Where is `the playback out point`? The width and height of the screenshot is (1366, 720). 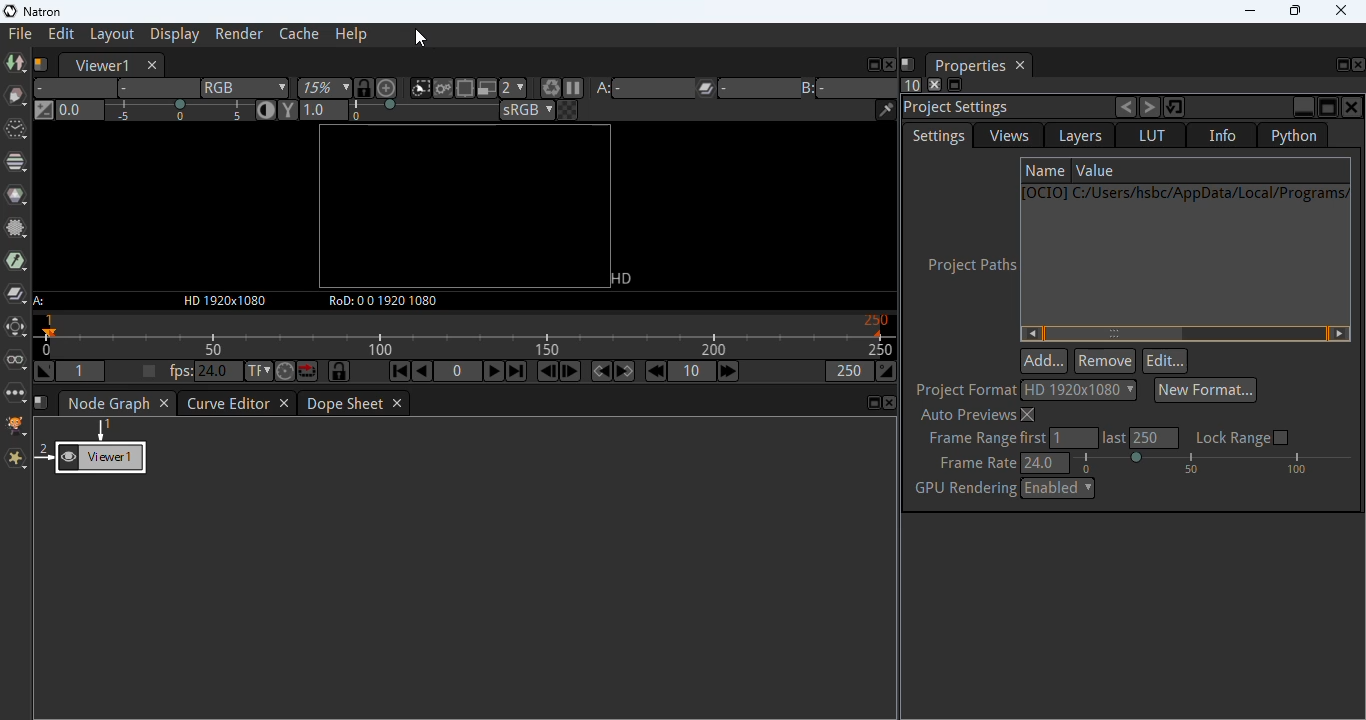 the playback out point is located at coordinates (850, 371).